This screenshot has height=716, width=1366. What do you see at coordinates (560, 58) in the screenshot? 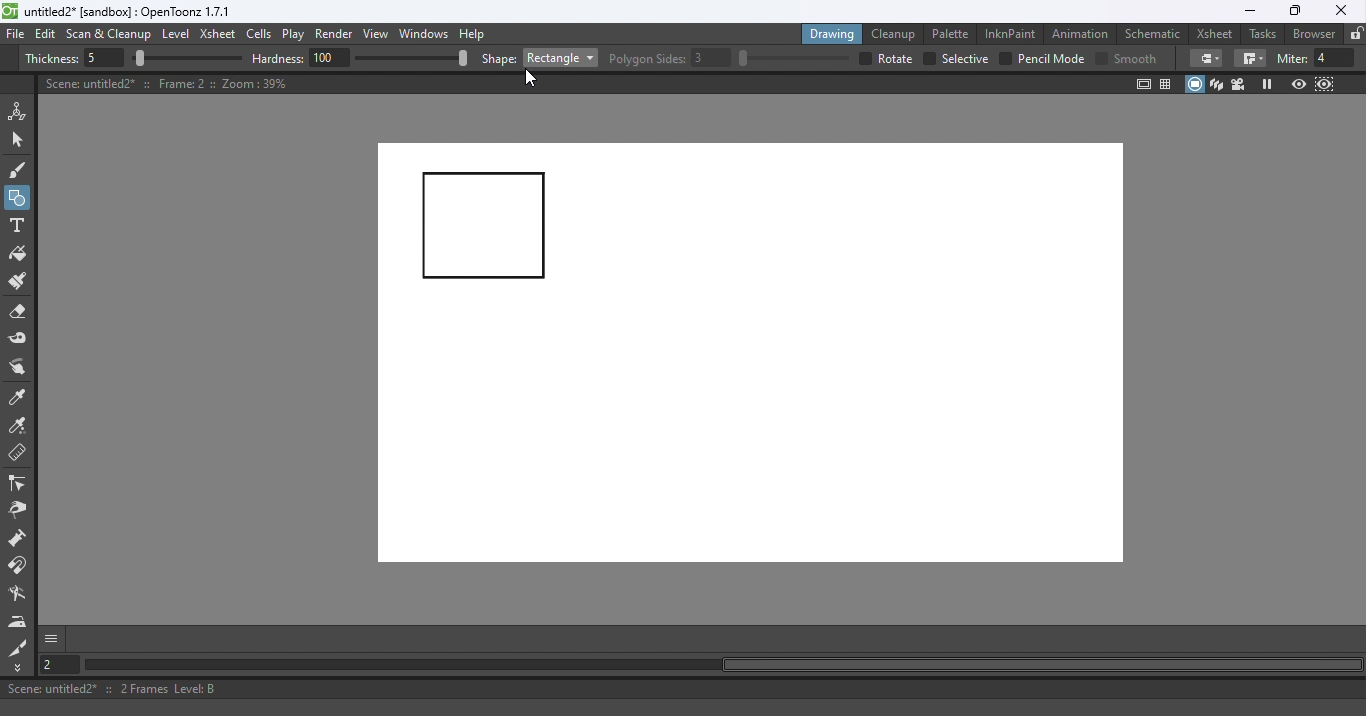
I see `Rectangle ` at bounding box center [560, 58].